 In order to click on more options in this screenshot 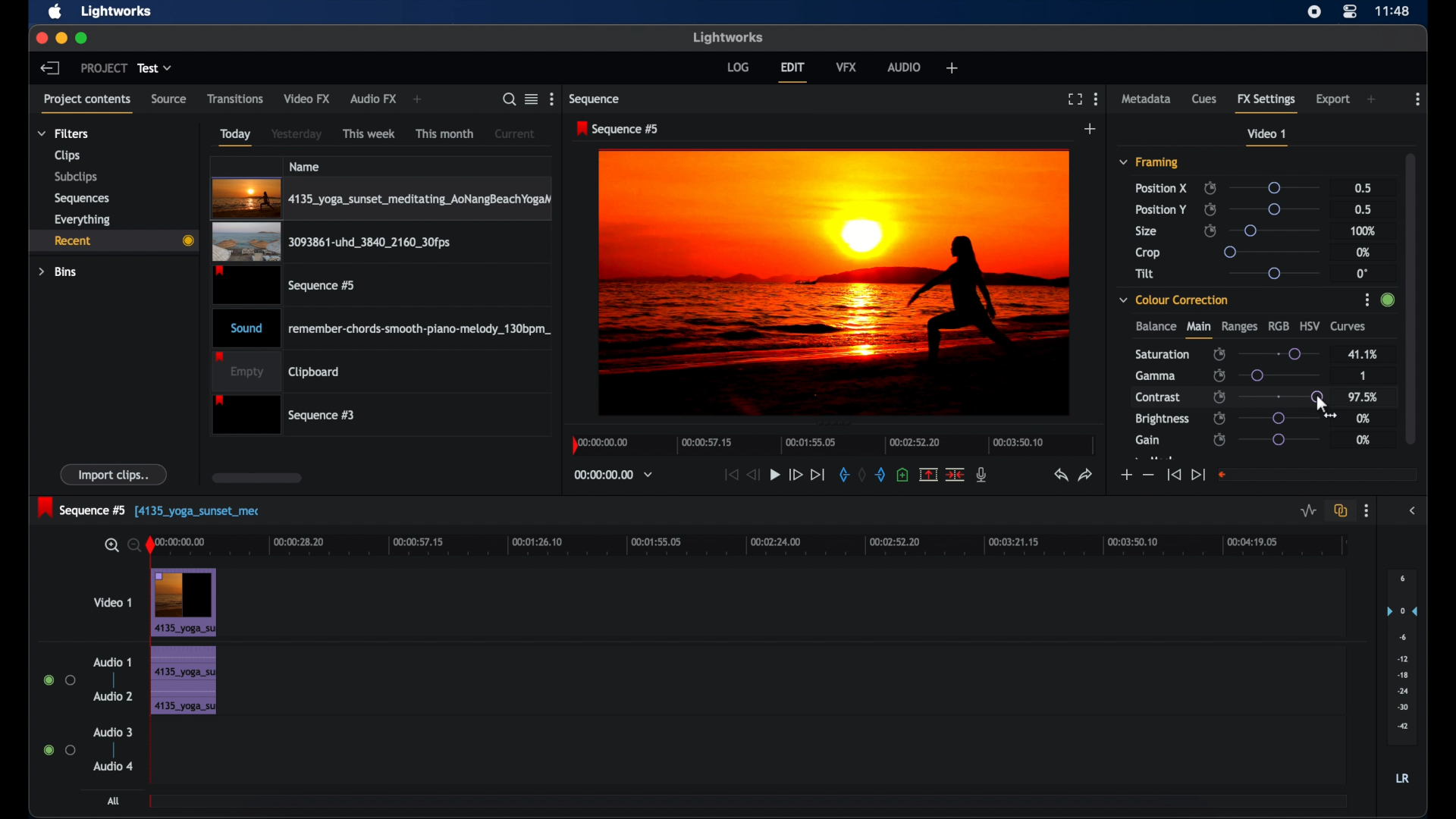, I will do `click(1367, 511)`.